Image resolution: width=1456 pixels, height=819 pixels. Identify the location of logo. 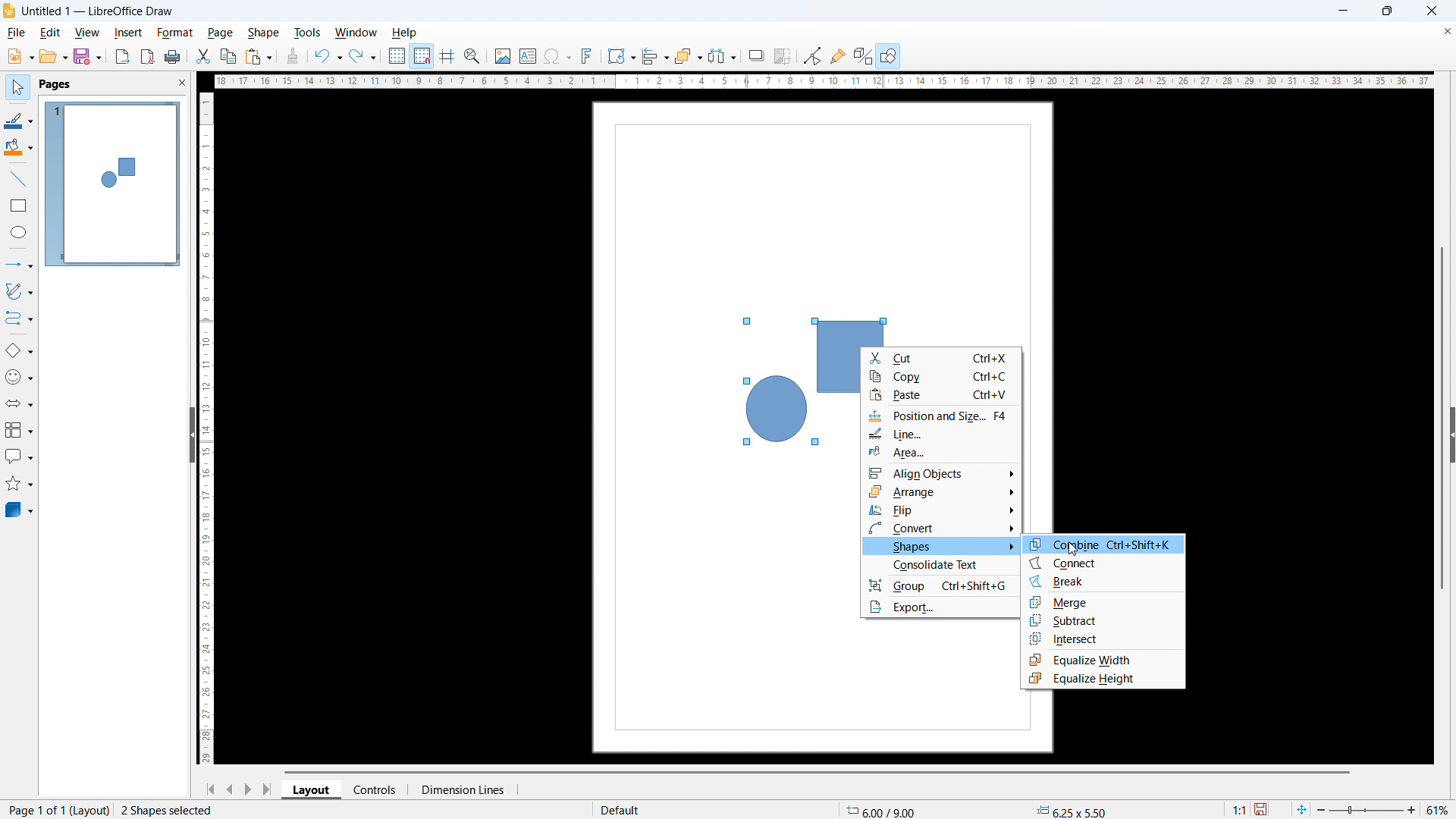
(9, 11).